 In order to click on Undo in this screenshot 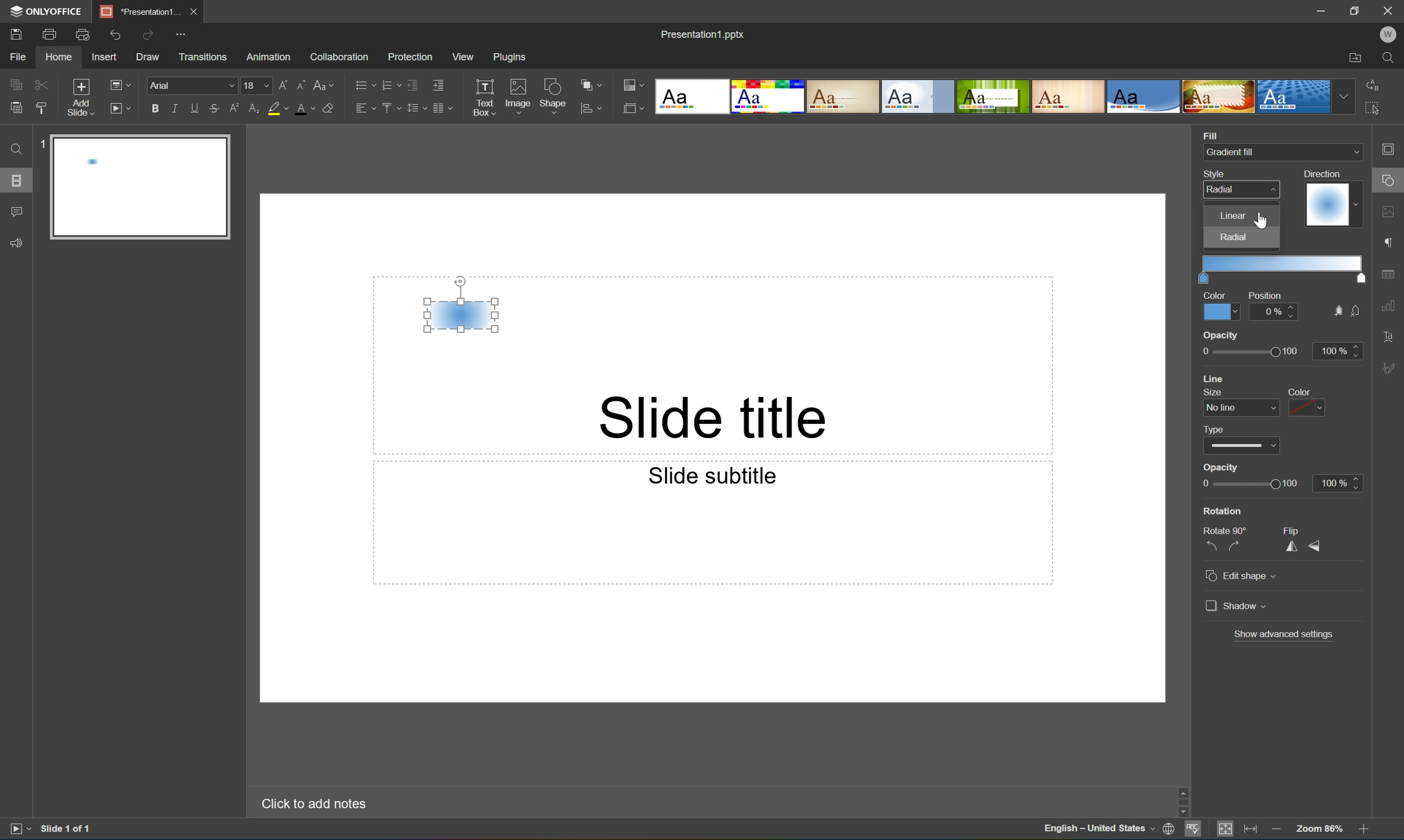, I will do `click(113, 35)`.